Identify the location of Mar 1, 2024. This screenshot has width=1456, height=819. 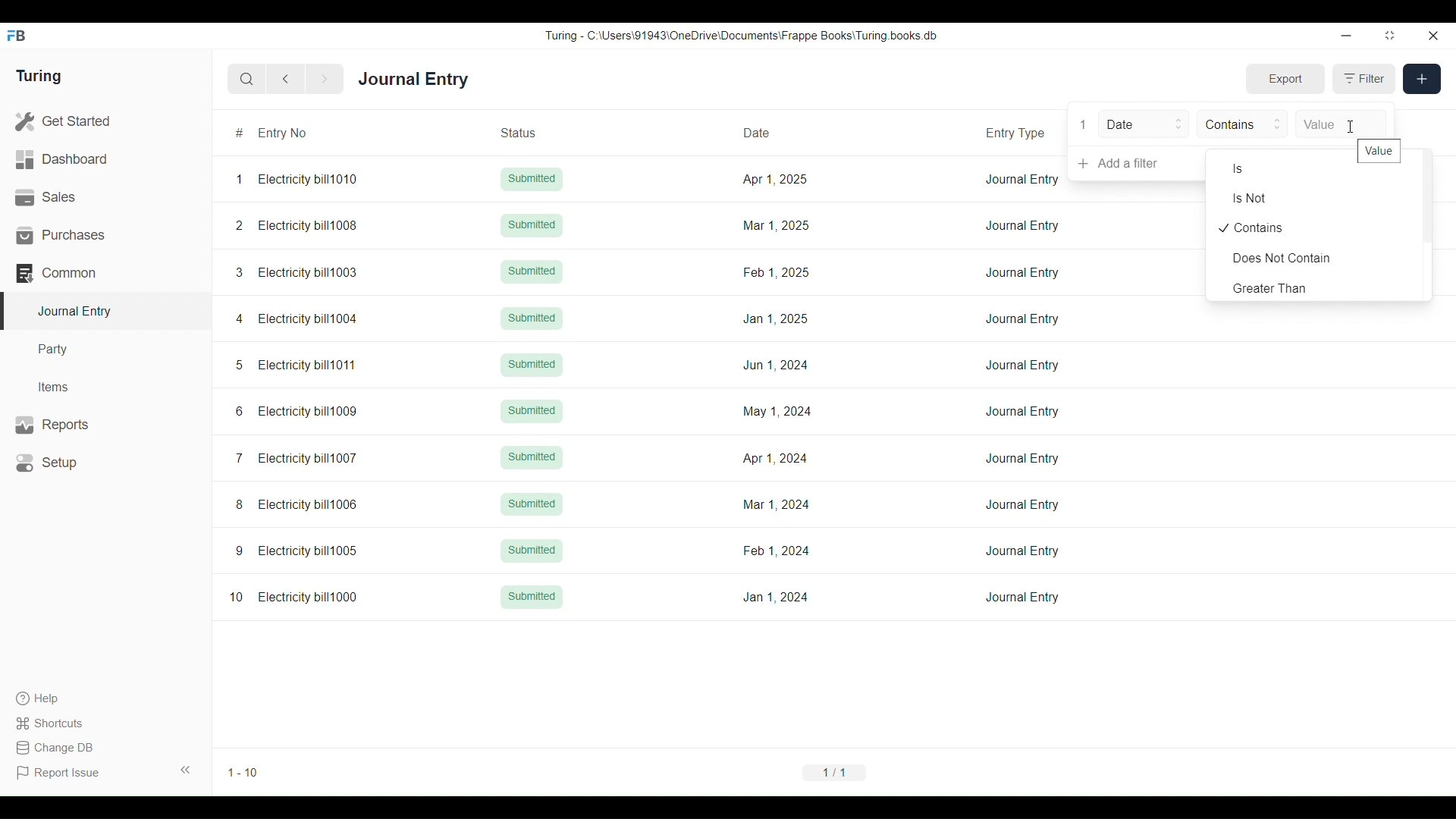
(777, 504).